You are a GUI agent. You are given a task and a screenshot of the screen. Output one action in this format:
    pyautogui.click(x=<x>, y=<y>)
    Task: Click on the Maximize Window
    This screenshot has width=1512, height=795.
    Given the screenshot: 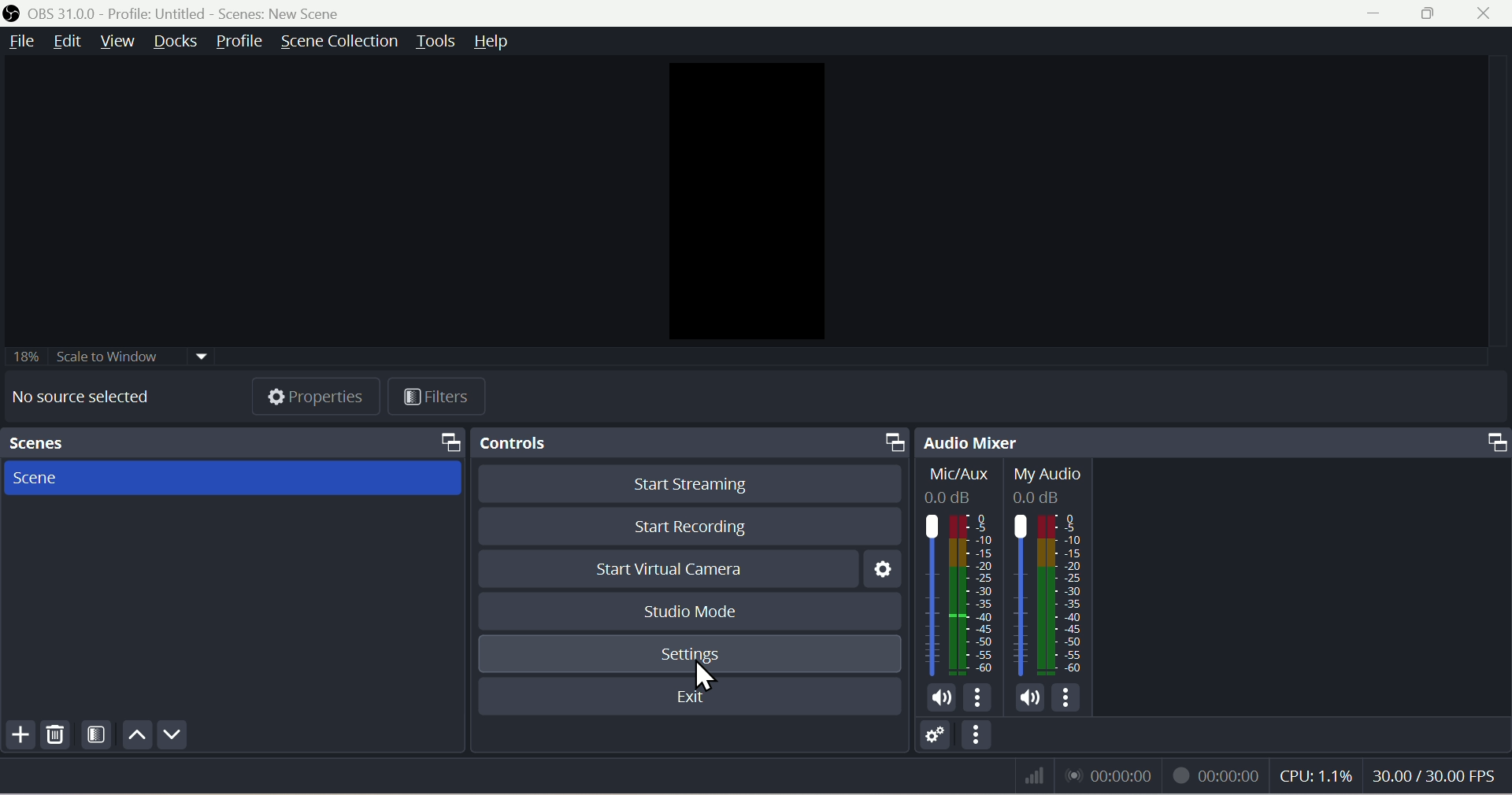 What is the action you would take?
    pyautogui.click(x=438, y=442)
    